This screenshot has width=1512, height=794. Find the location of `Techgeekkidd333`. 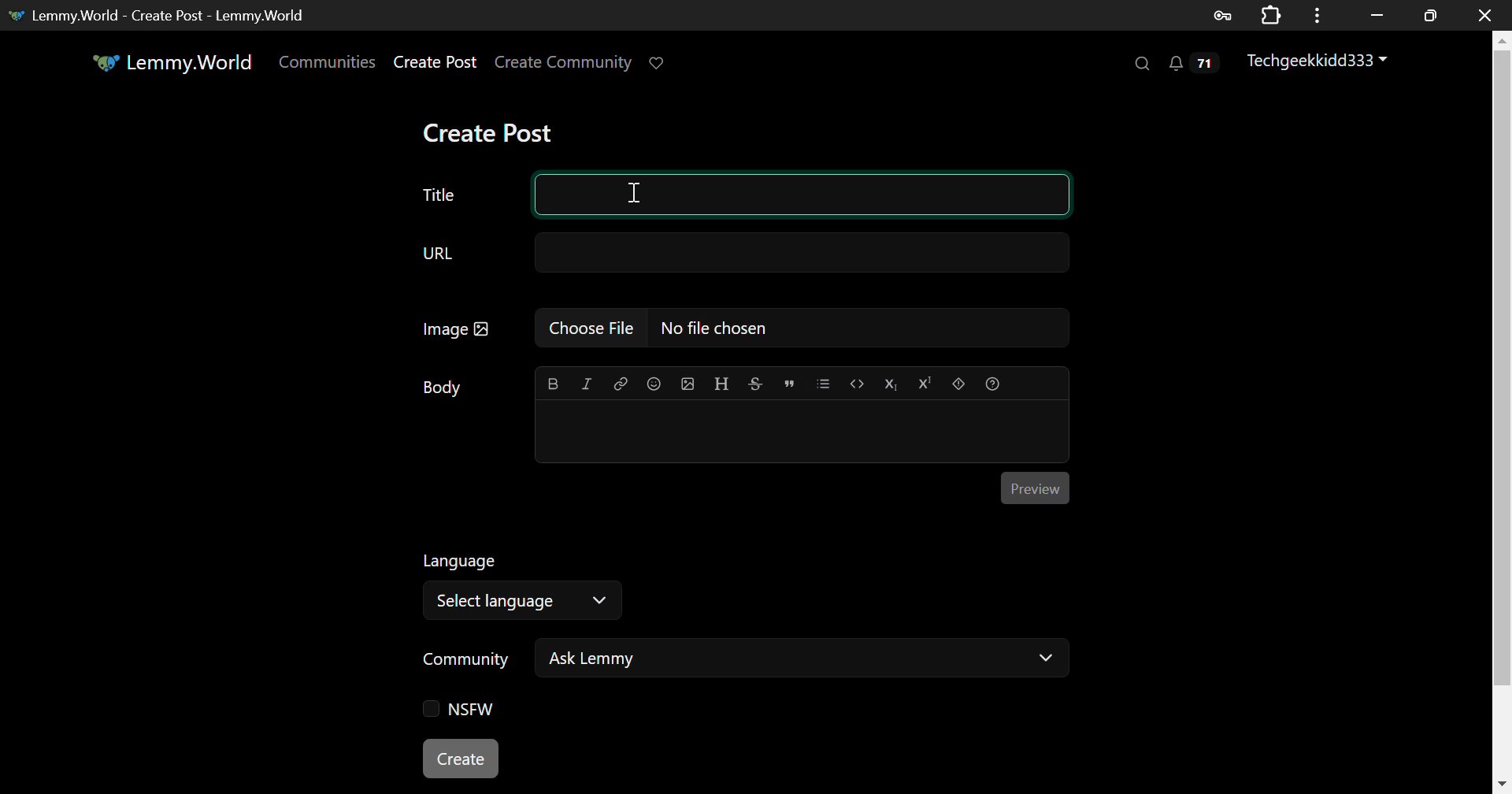

Techgeekkidd333 is located at coordinates (1322, 63).